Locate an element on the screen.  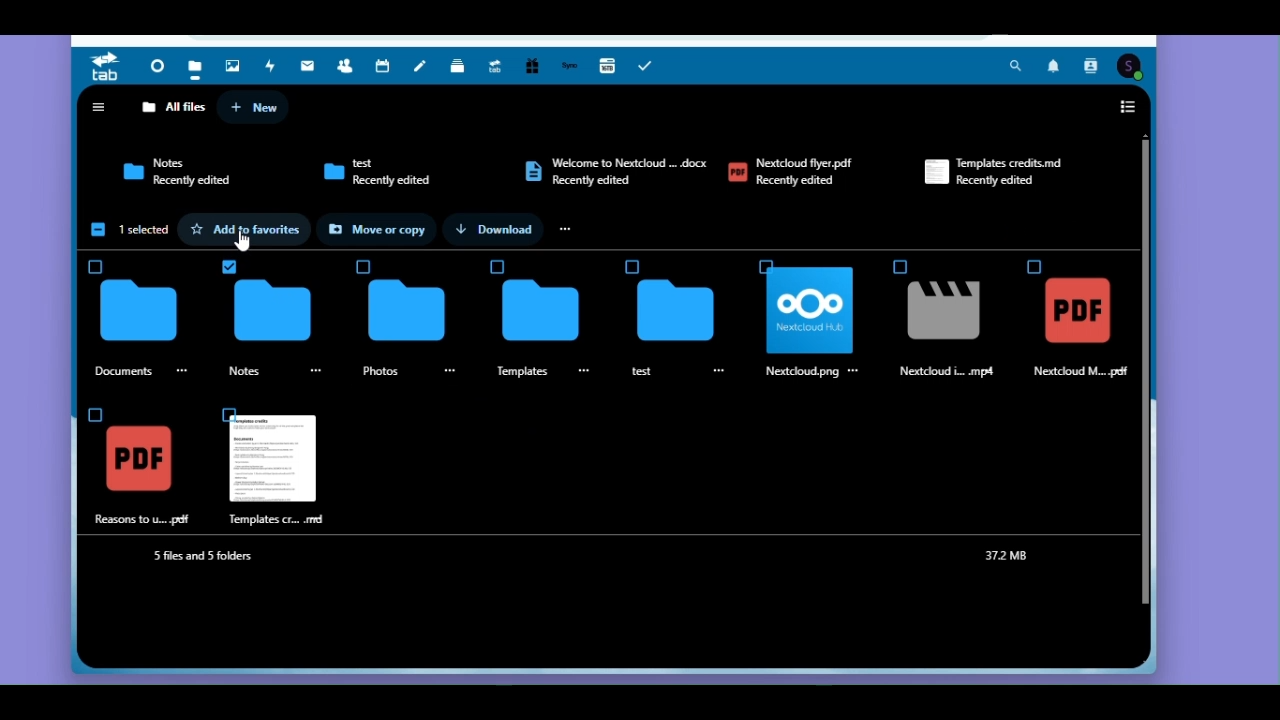
Calendar is located at coordinates (381, 66).